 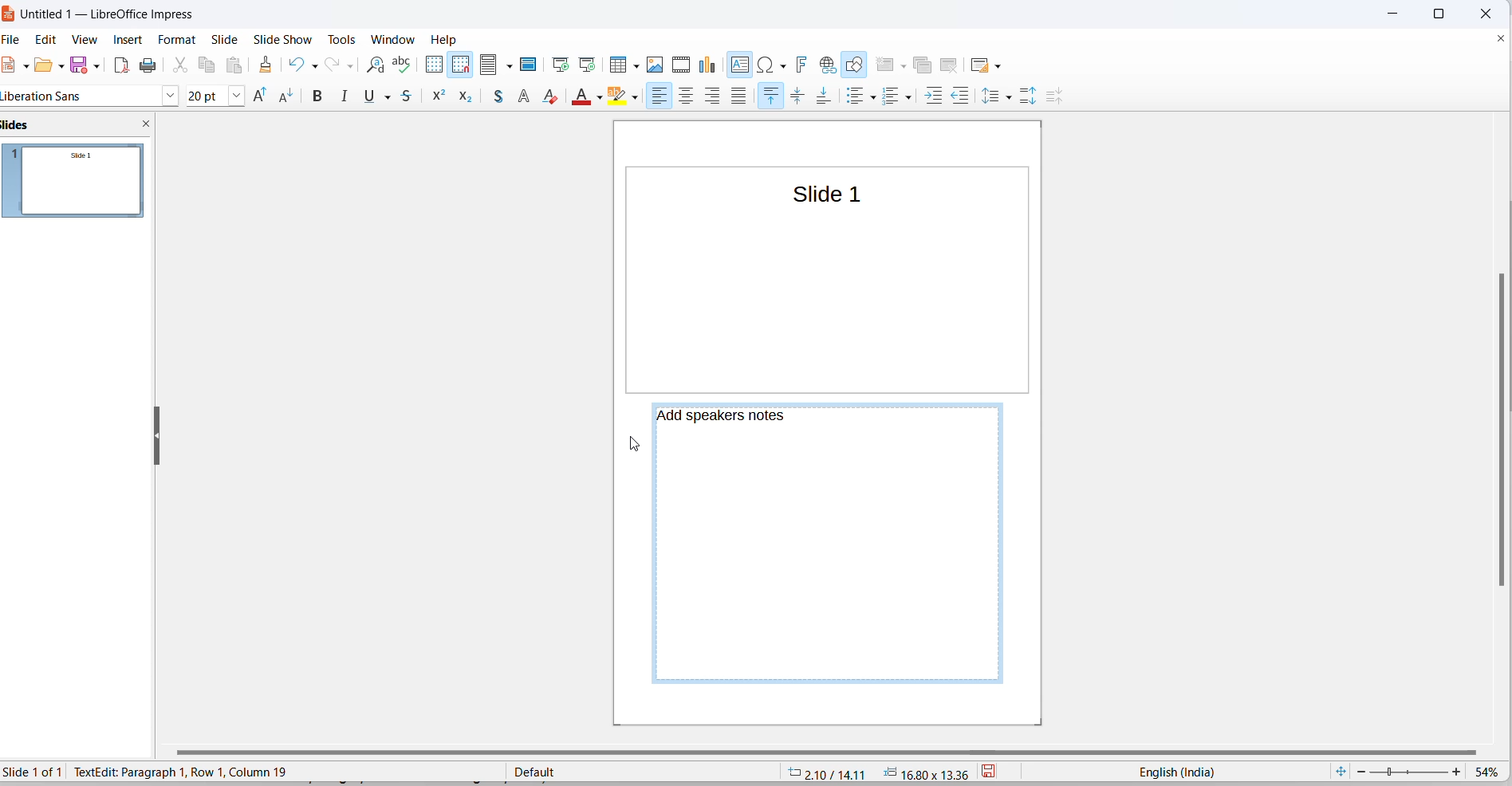 I want to click on flowchart options, so click(x=460, y=101).